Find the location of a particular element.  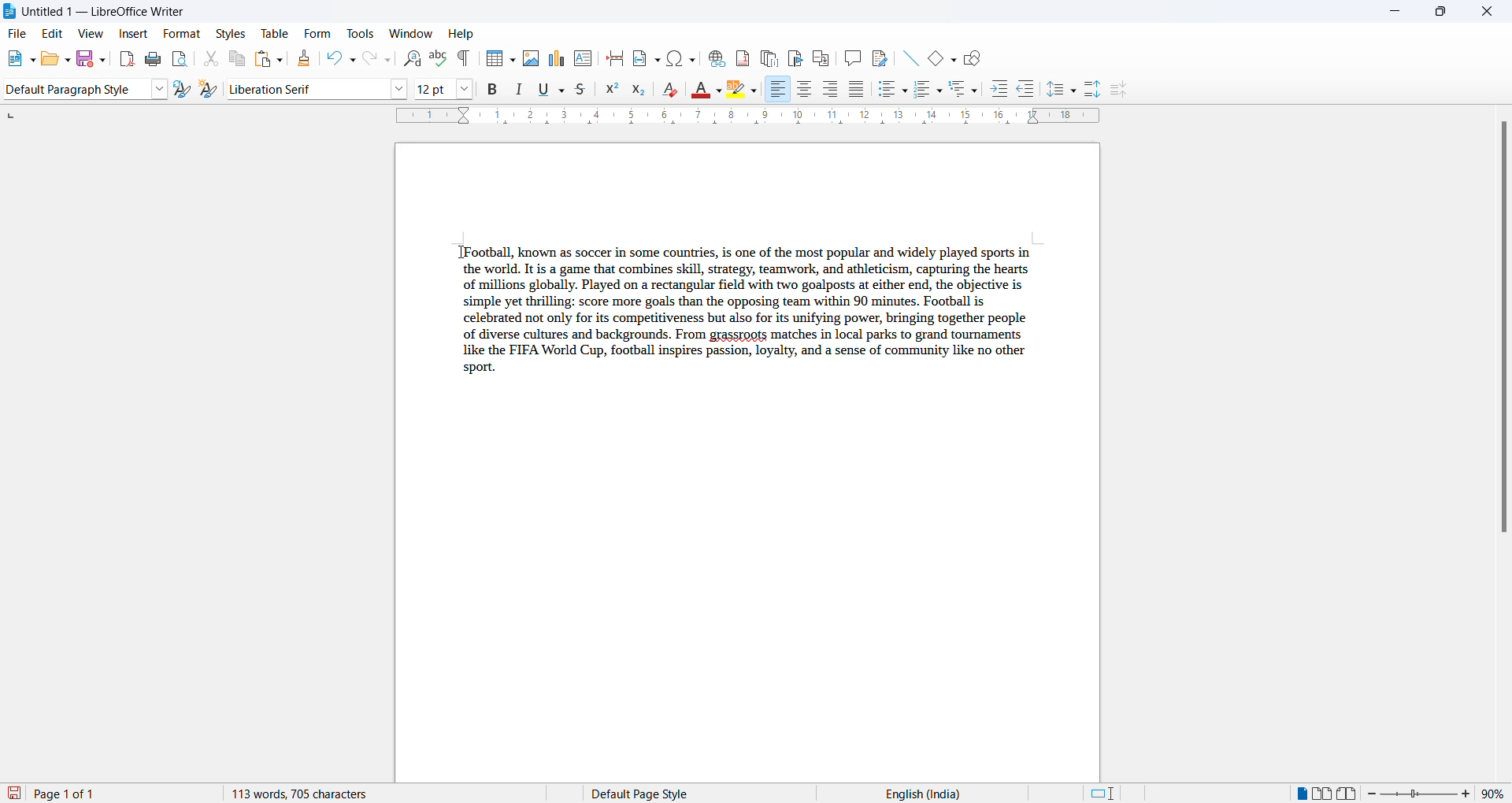

new file options is located at coordinates (29, 58).